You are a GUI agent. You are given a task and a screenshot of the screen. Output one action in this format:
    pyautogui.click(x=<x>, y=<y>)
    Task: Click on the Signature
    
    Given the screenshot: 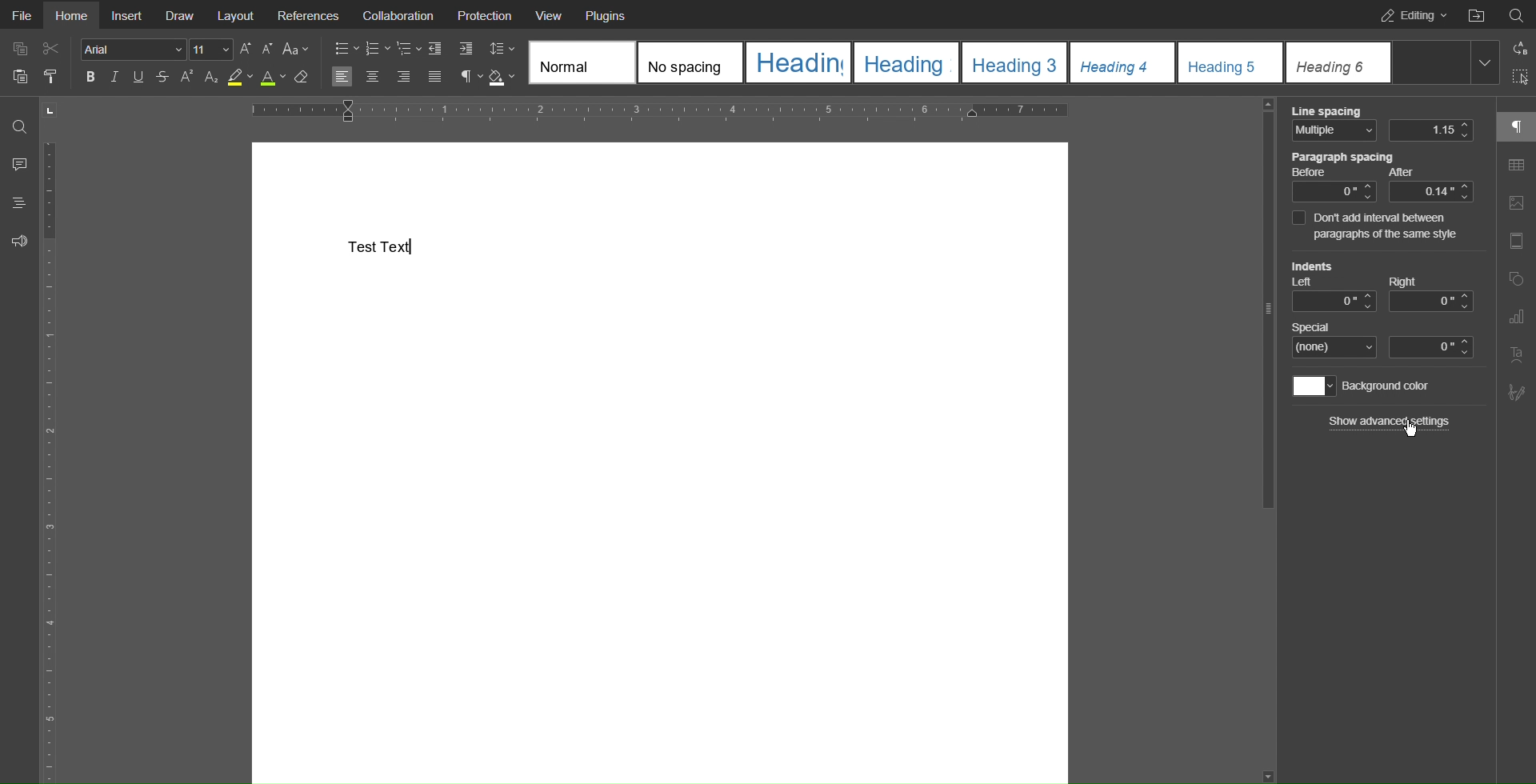 What is the action you would take?
    pyautogui.click(x=1514, y=393)
    